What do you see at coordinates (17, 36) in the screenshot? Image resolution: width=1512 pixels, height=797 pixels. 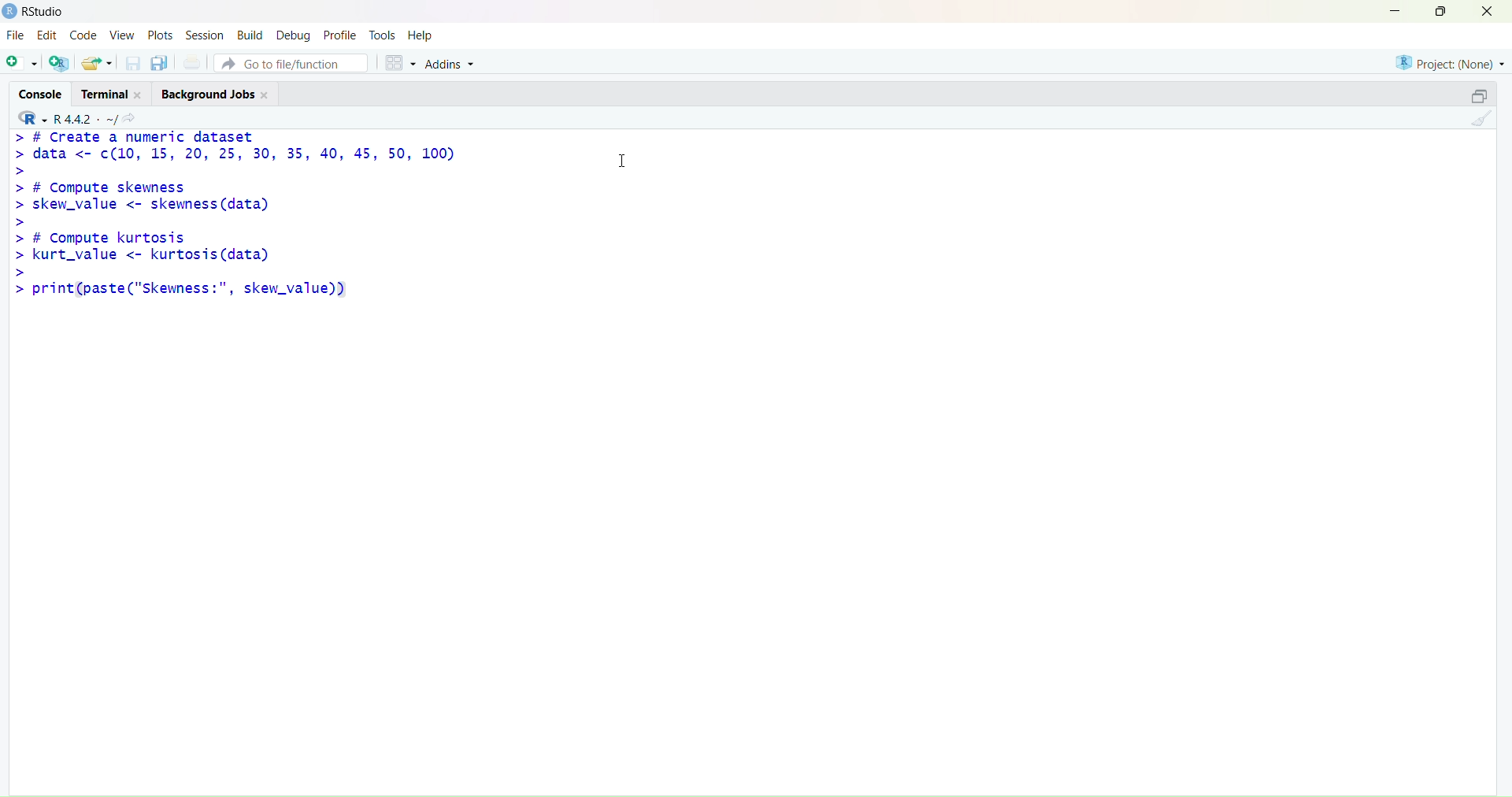 I see `File` at bounding box center [17, 36].